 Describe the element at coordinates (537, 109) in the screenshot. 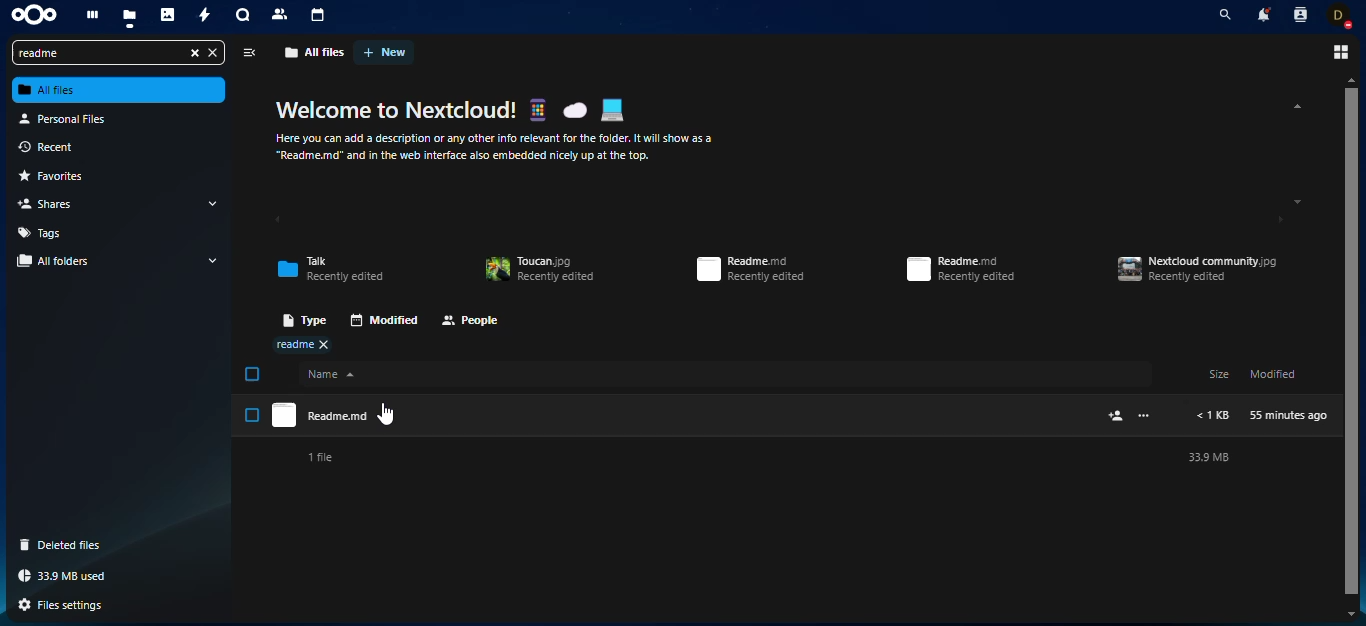

I see `Smartphone emoji` at that location.